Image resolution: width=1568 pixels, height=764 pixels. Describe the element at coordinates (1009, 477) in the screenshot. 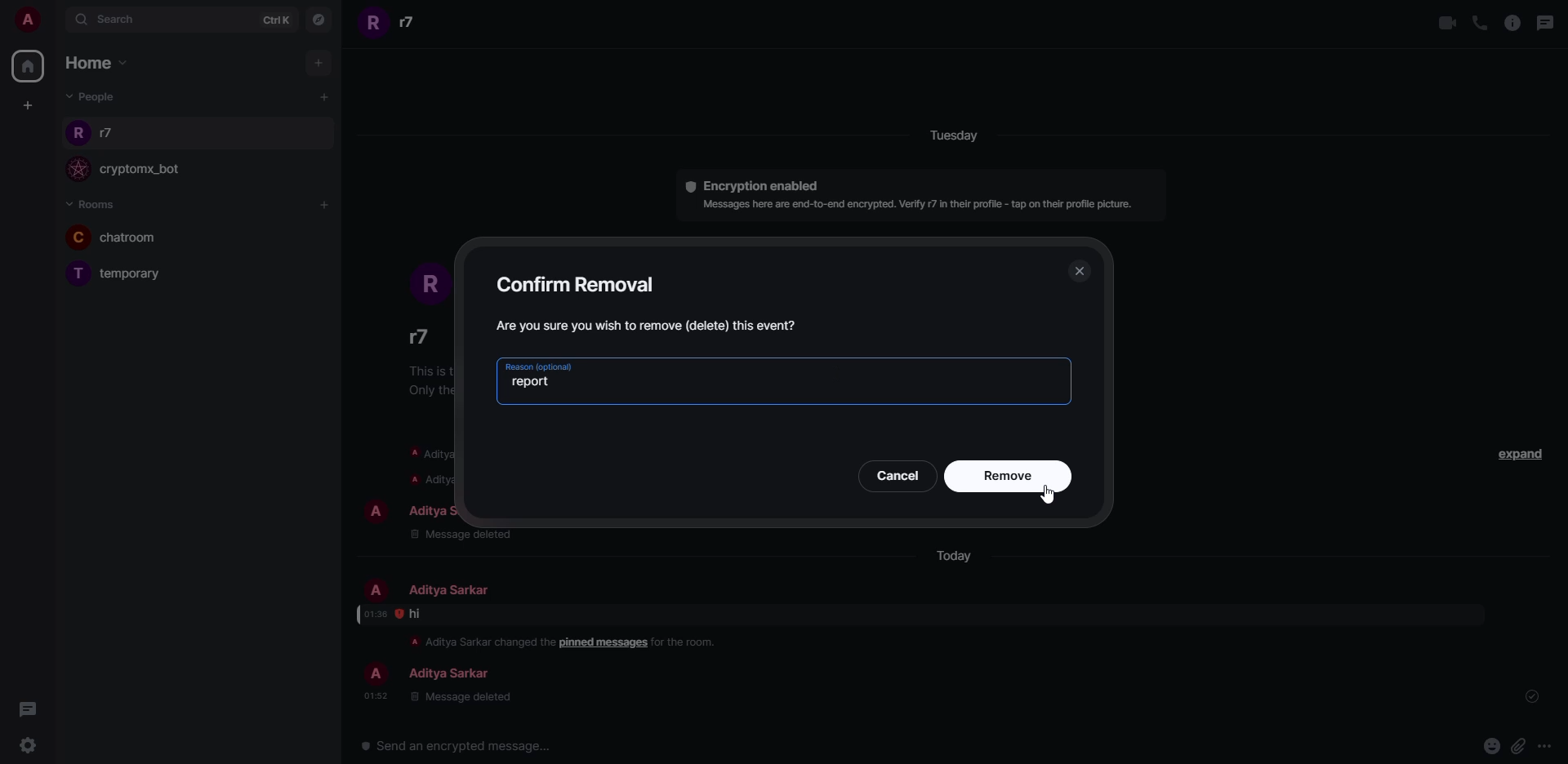

I see `remove` at that location.